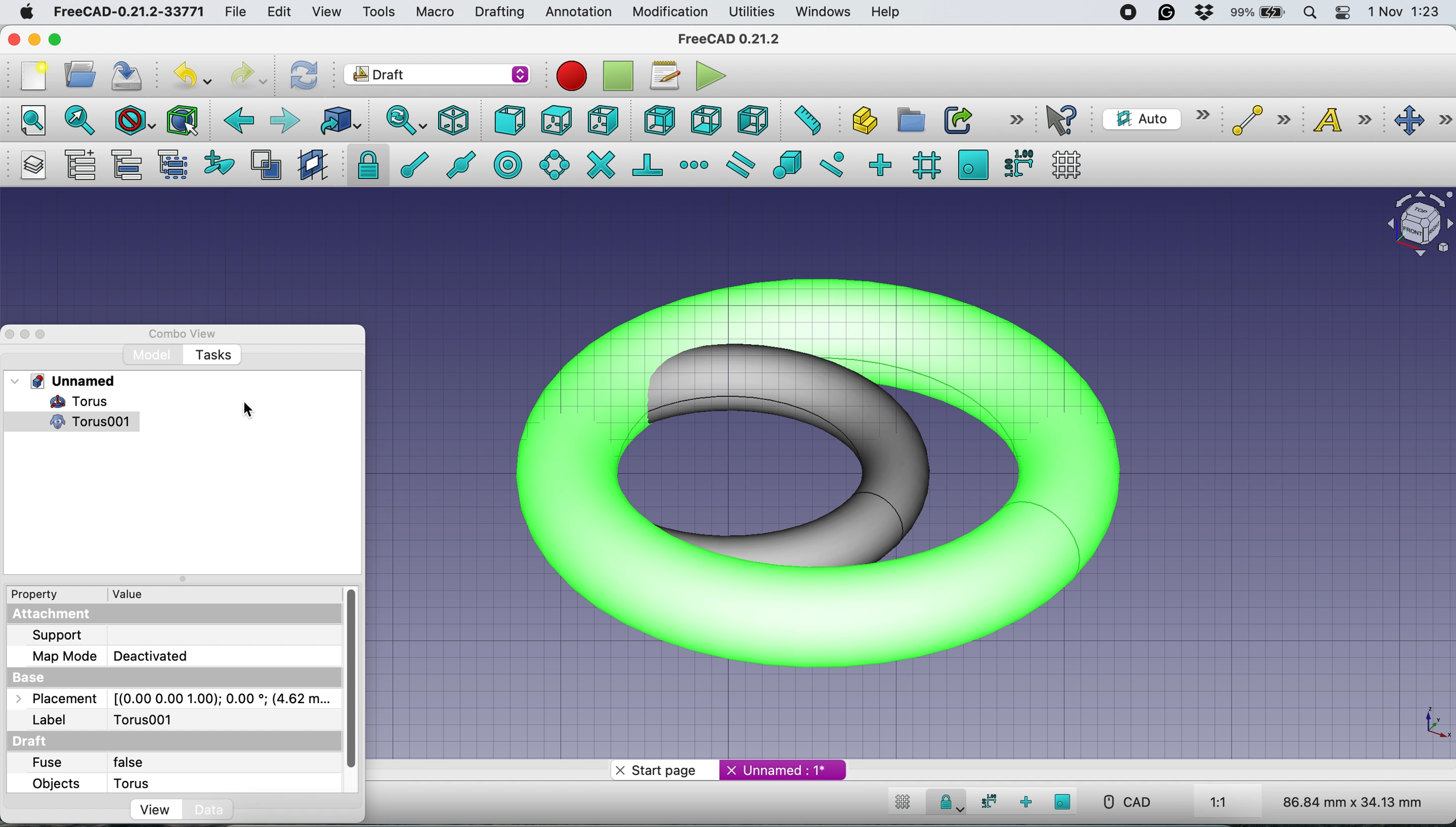 The image size is (1456, 827). What do you see at coordinates (788, 165) in the screenshot?
I see `snap special` at bounding box center [788, 165].